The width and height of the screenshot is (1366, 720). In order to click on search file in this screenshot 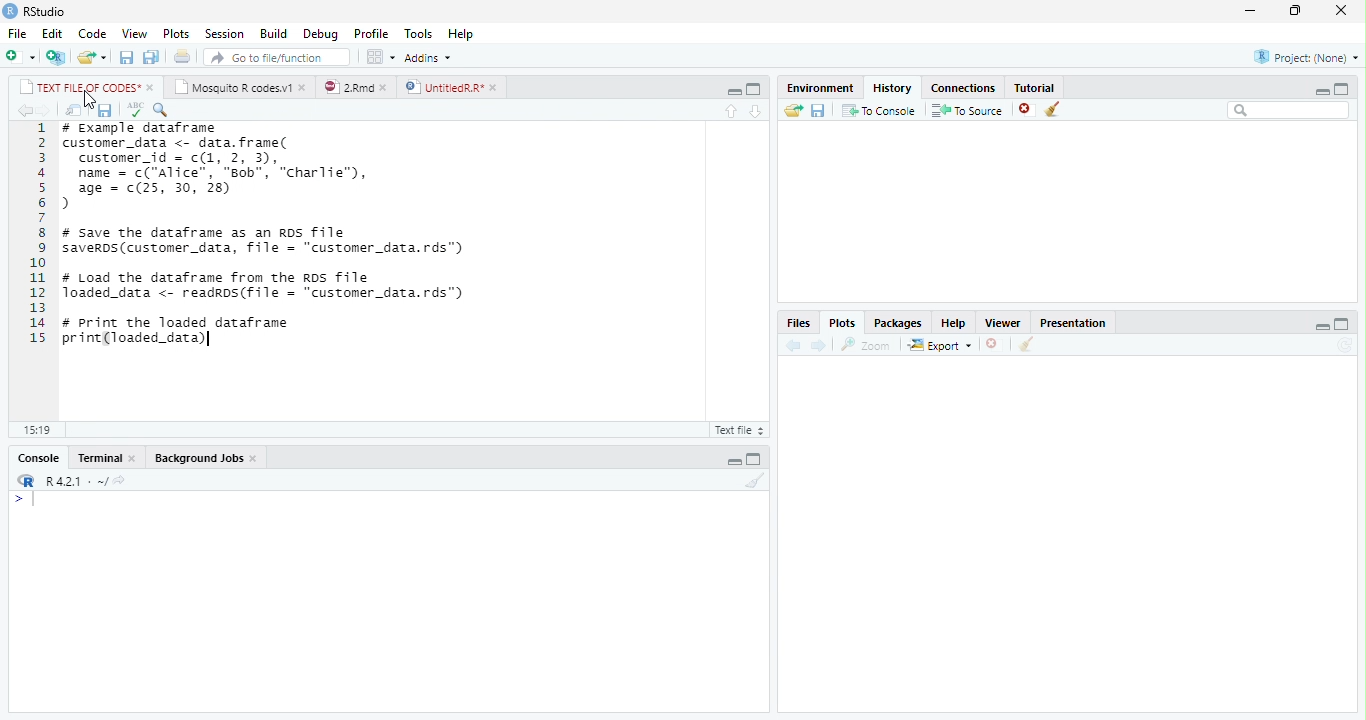, I will do `click(278, 57)`.